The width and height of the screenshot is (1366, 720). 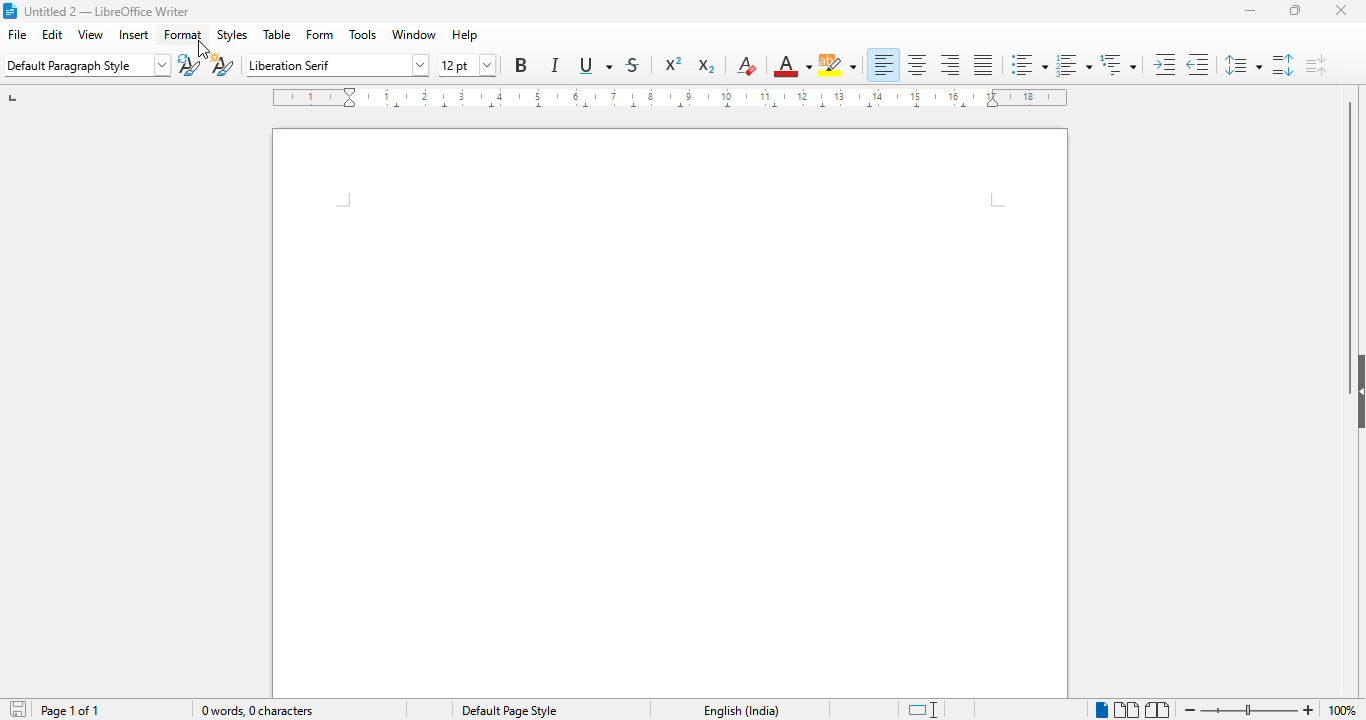 I want to click on align center, so click(x=918, y=64).